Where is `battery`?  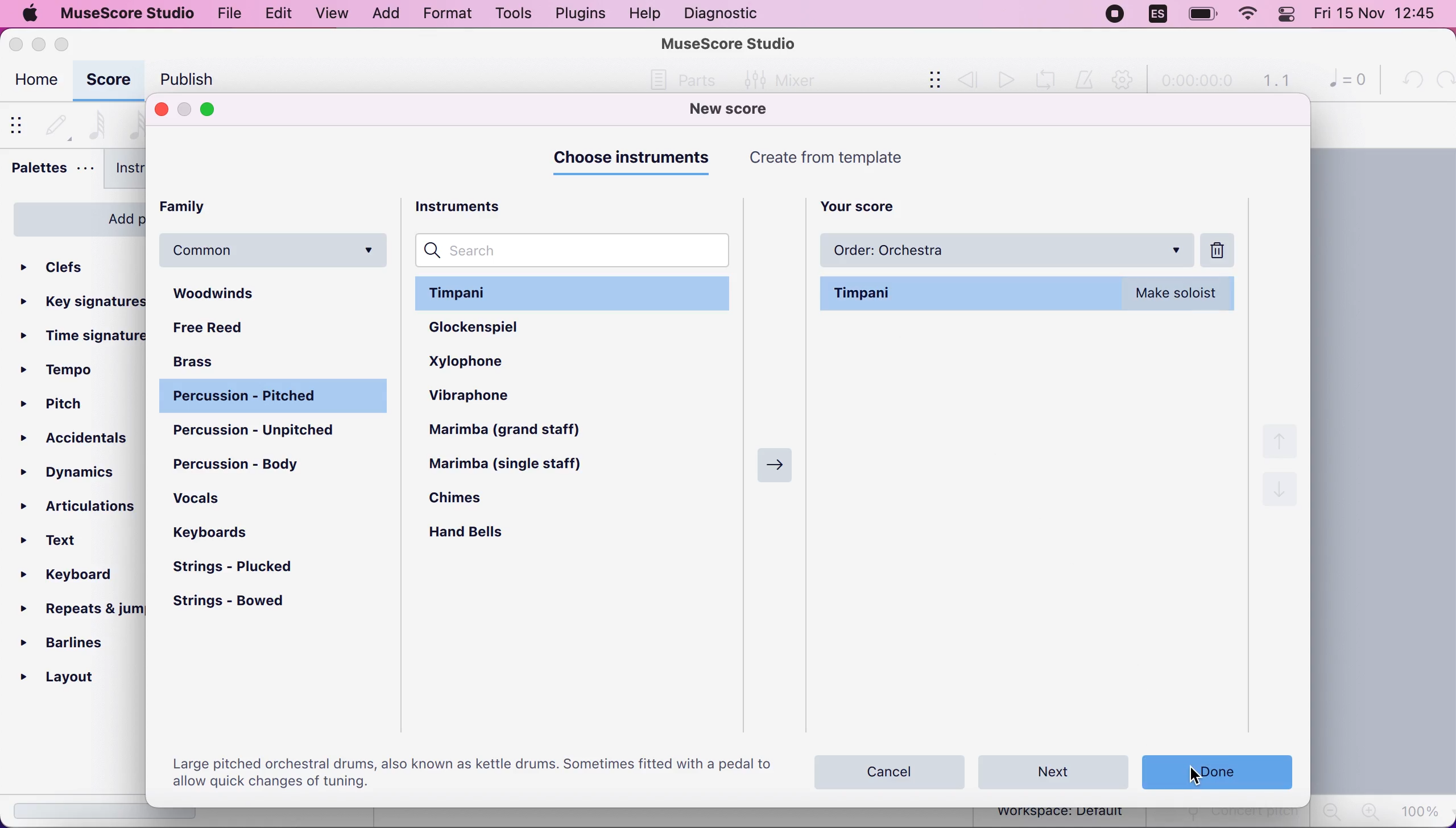 battery is located at coordinates (1198, 15).